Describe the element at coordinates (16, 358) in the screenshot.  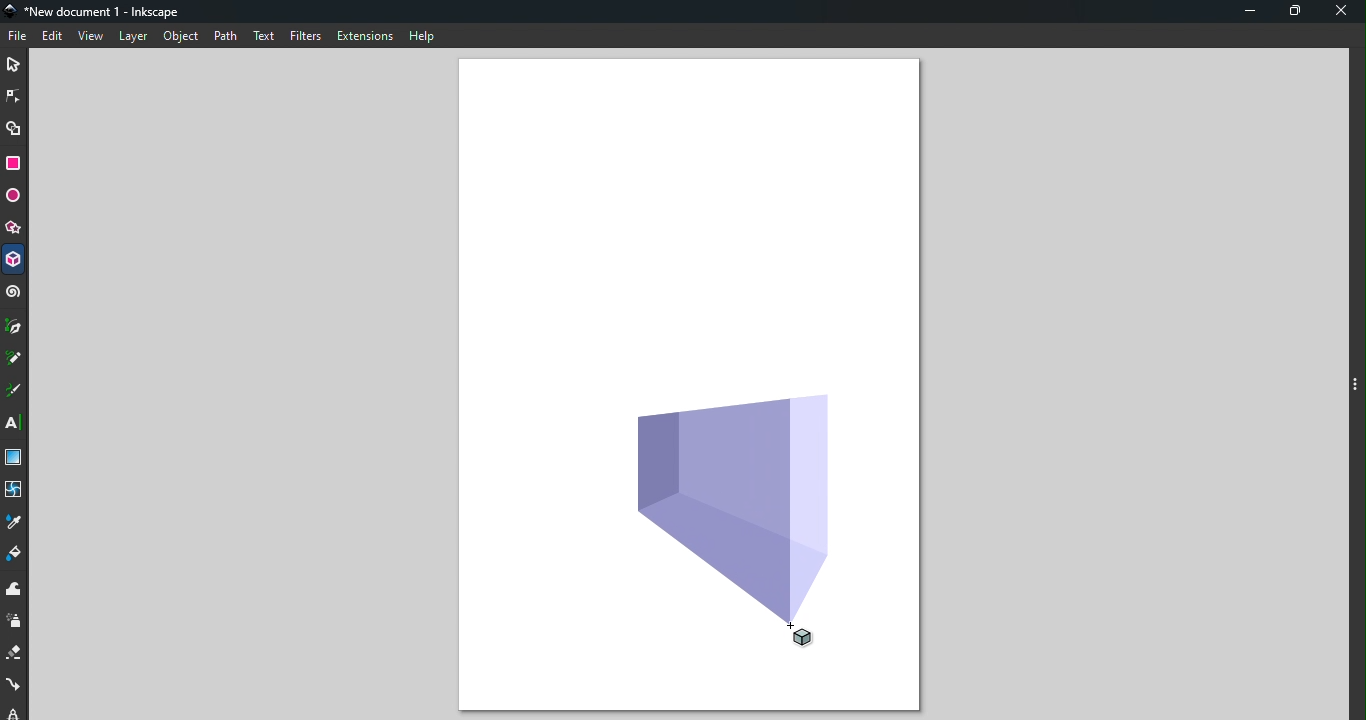
I see `Pencil tool` at that location.